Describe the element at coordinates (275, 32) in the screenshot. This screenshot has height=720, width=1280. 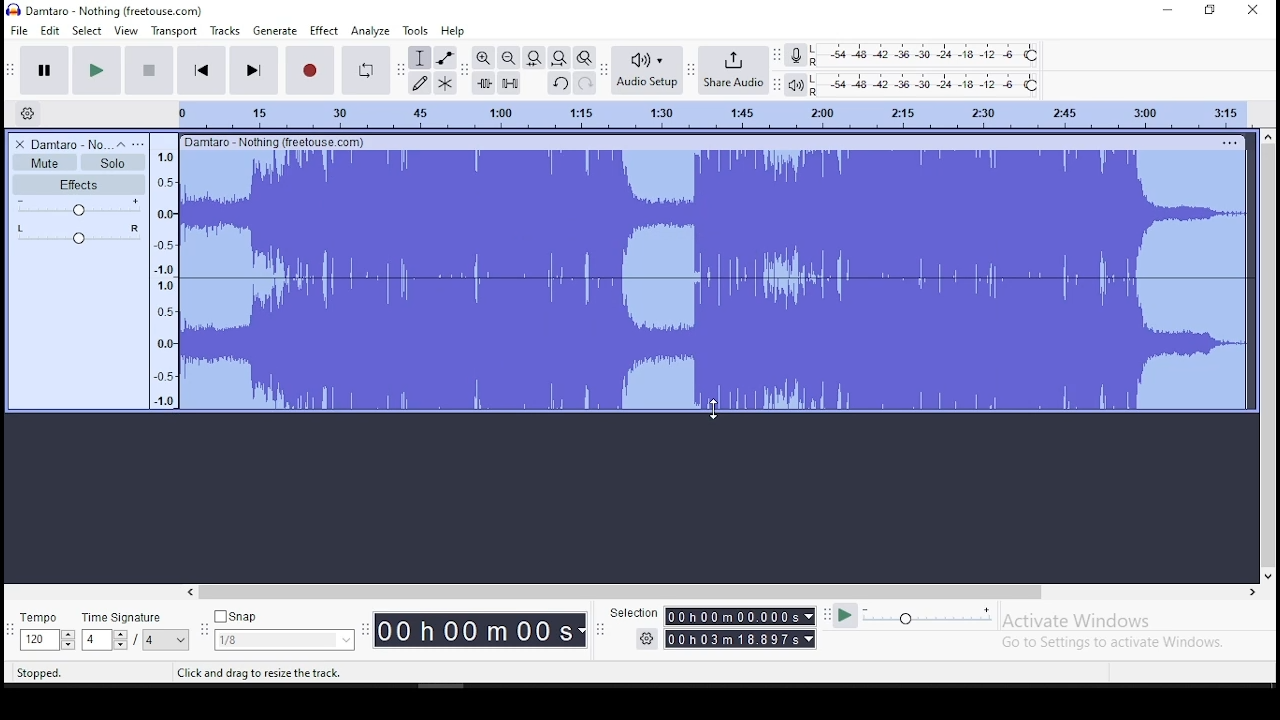
I see `generate` at that location.